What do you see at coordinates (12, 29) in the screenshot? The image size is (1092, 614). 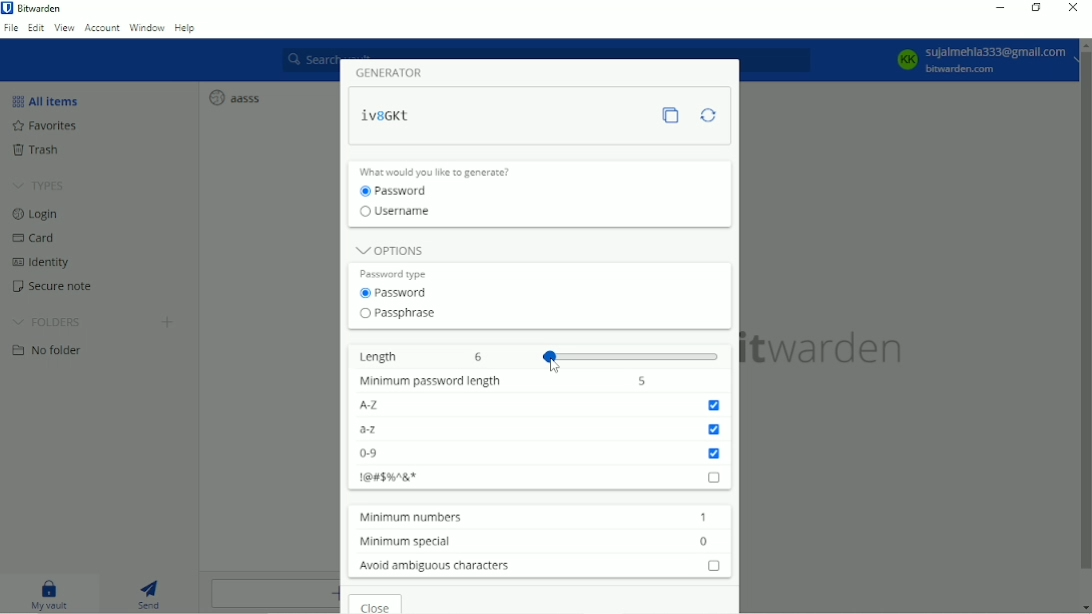 I see `File` at bounding box center [12, 29].